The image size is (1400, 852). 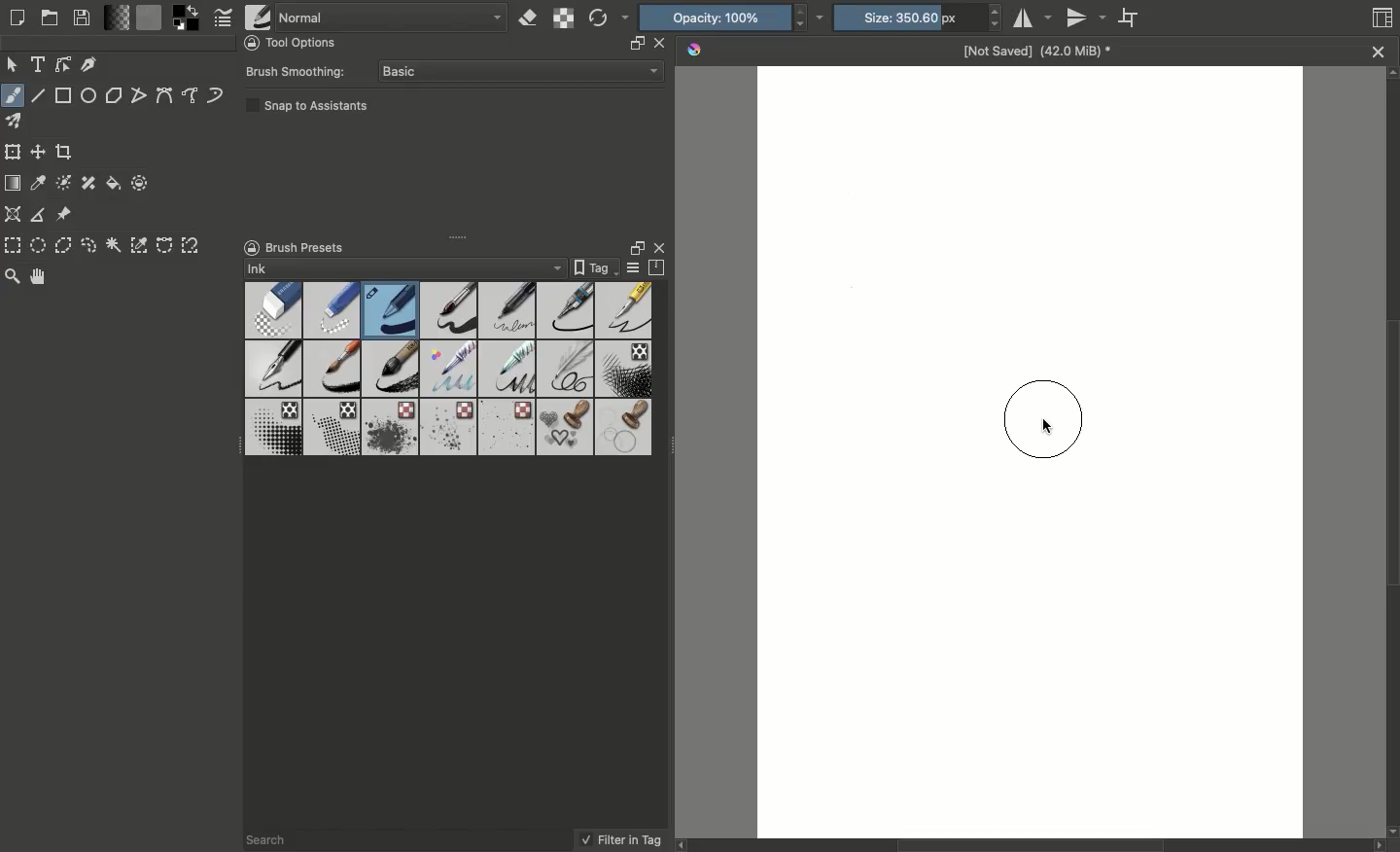 What do you see at coordinates (695, 51) in the screenshot?
I see `Krita` at bounding box center [695, 51].